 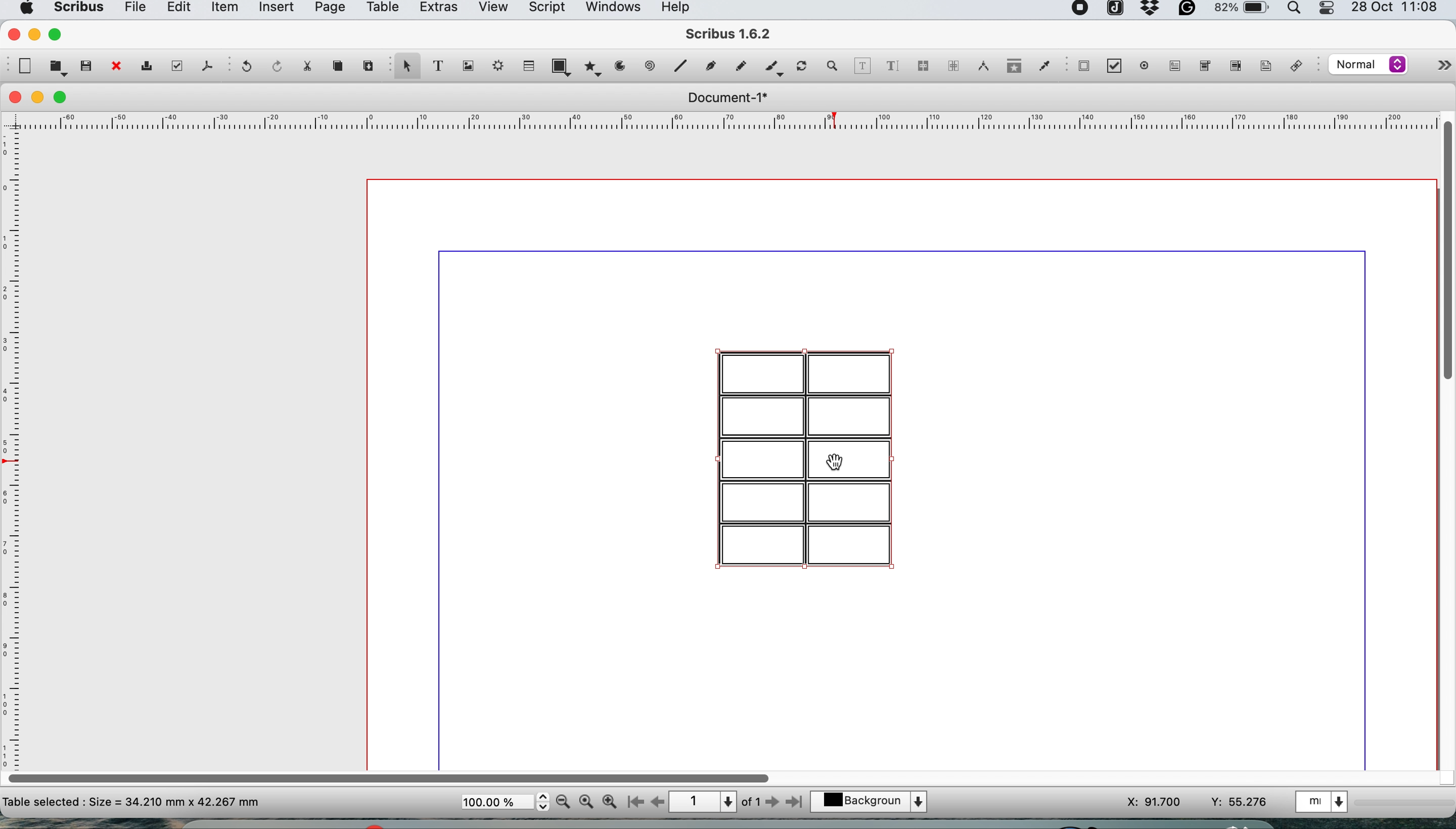 I want to click on shape, so click(x=564, y=66).